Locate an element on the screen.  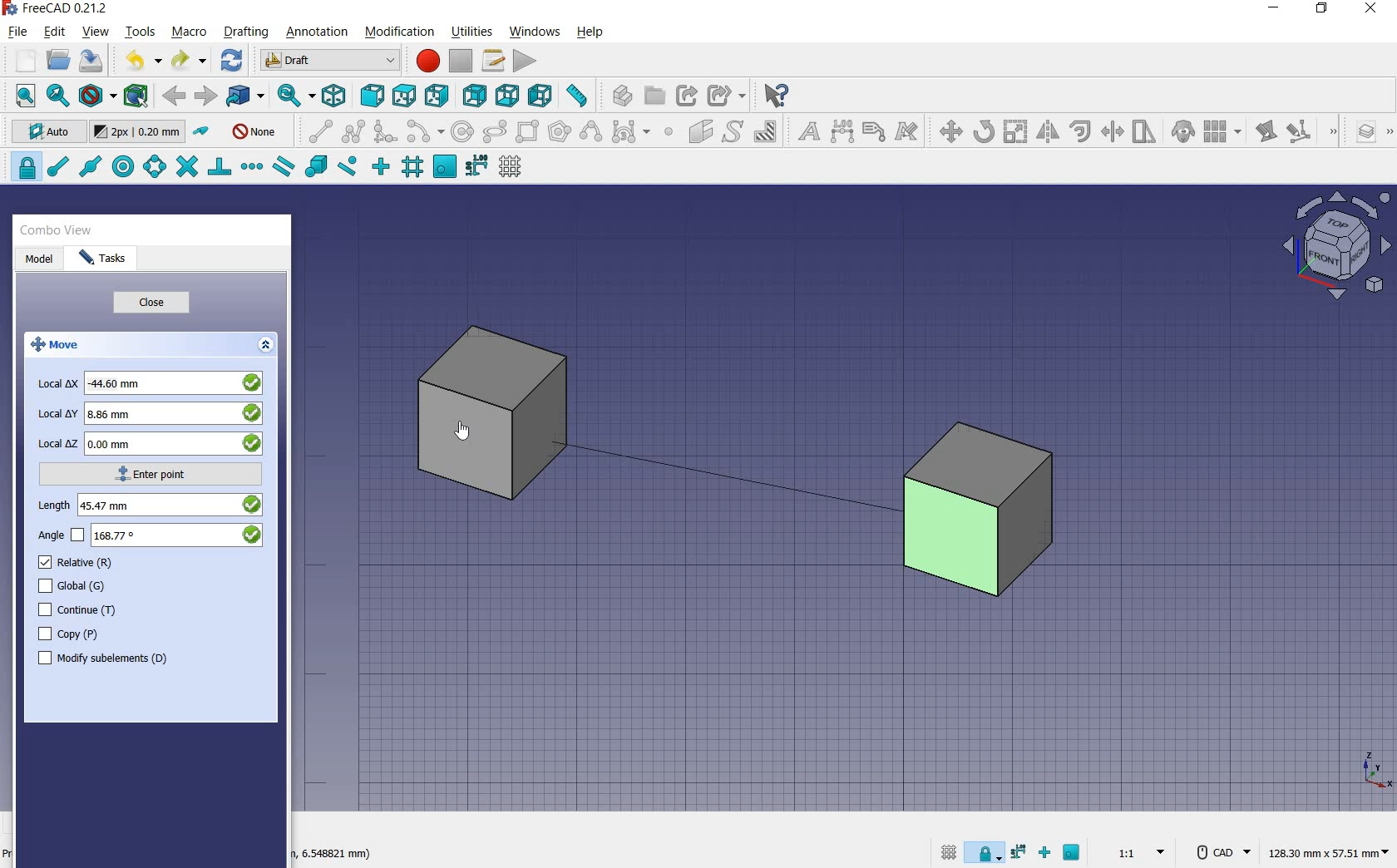
local z is located at coordinates (152, 442).